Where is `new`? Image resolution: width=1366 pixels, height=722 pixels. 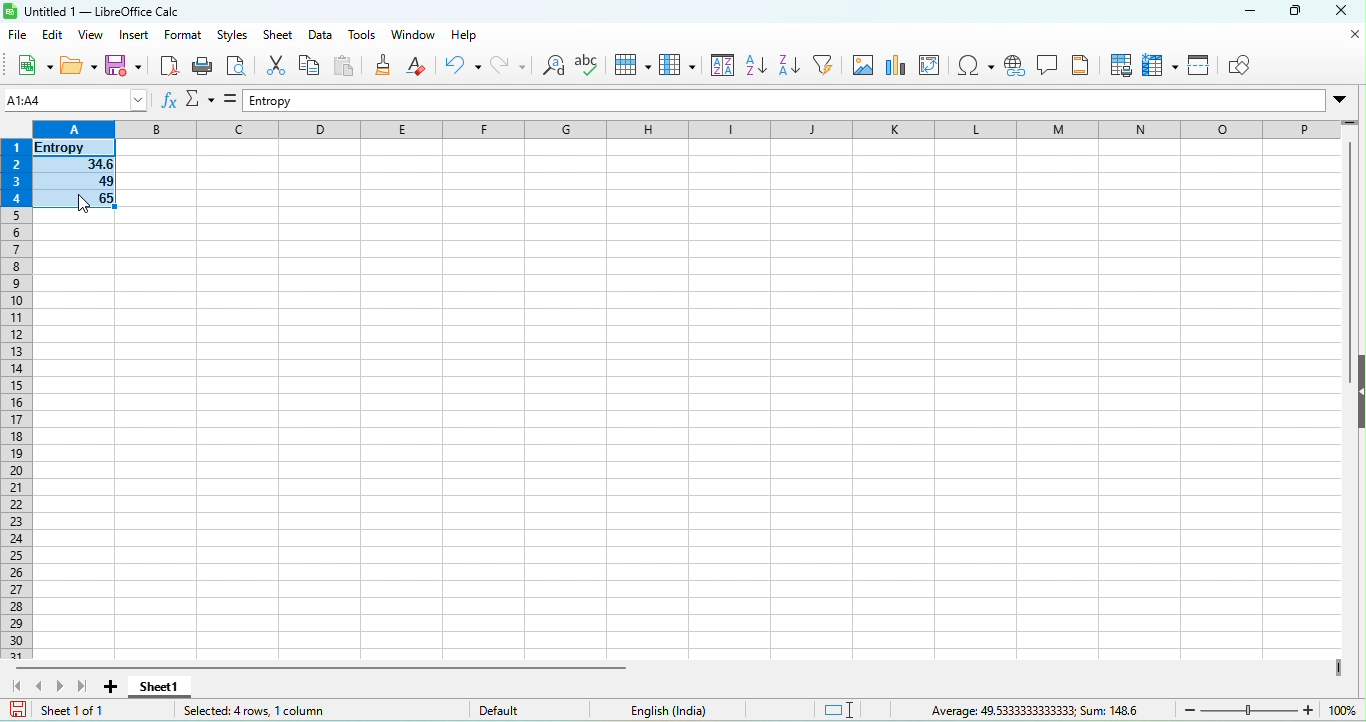 new is located at coordinates (28, 65).